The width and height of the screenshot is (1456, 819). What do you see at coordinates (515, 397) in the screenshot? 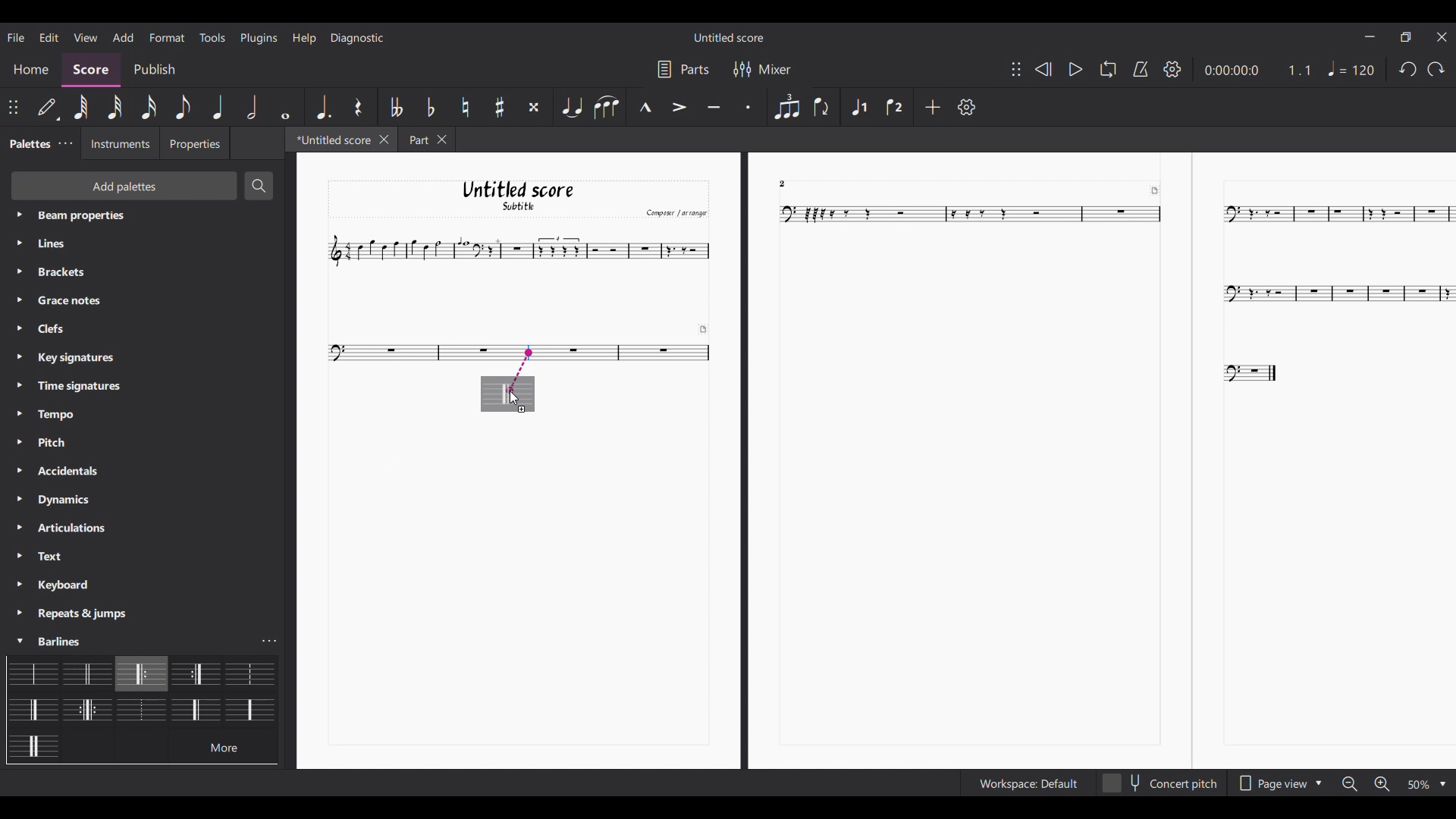
I see `cursor` at bounding box center [515, 397].